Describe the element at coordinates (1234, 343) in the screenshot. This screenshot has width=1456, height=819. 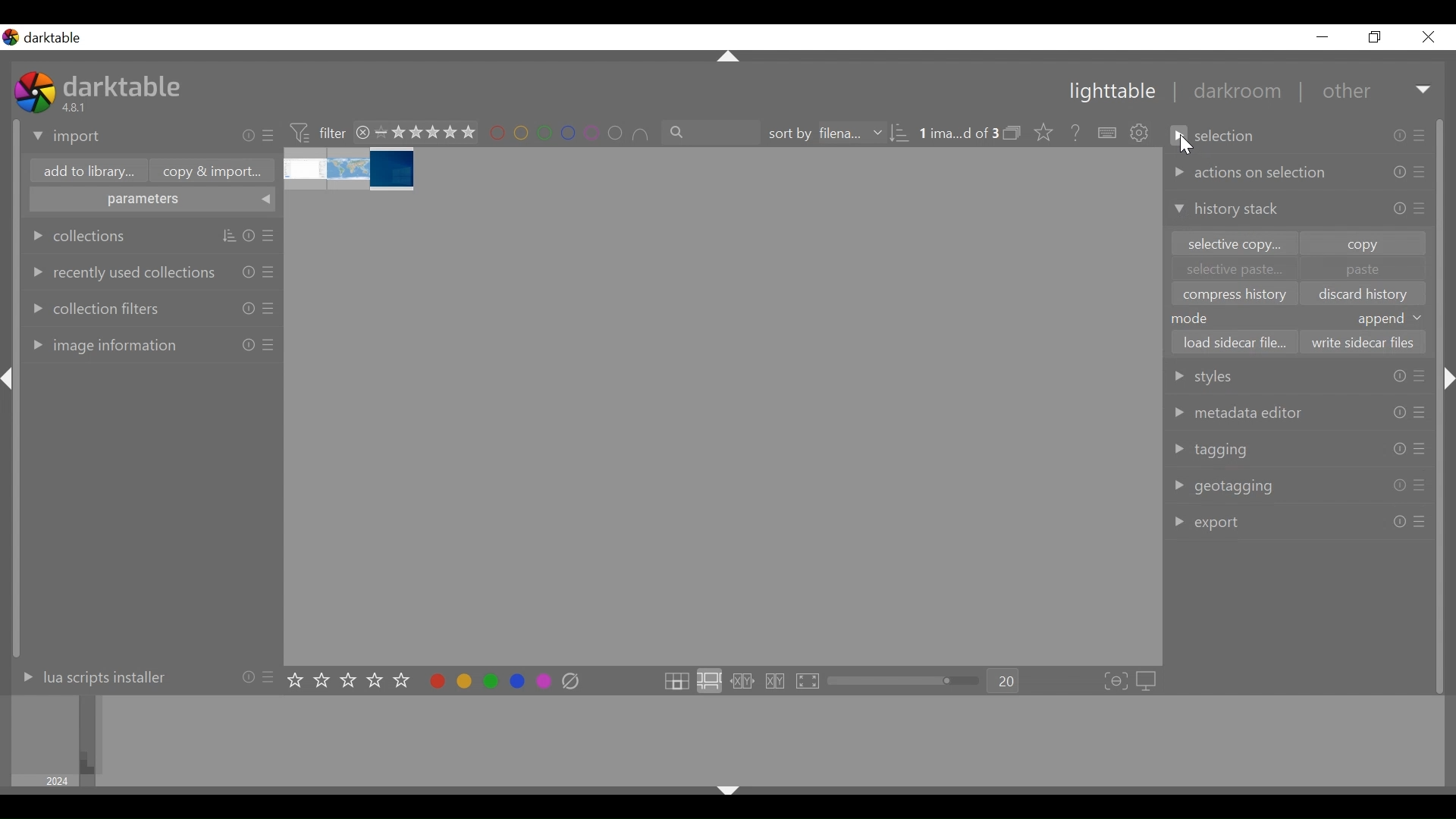
I see `load sidebar file` at that location.